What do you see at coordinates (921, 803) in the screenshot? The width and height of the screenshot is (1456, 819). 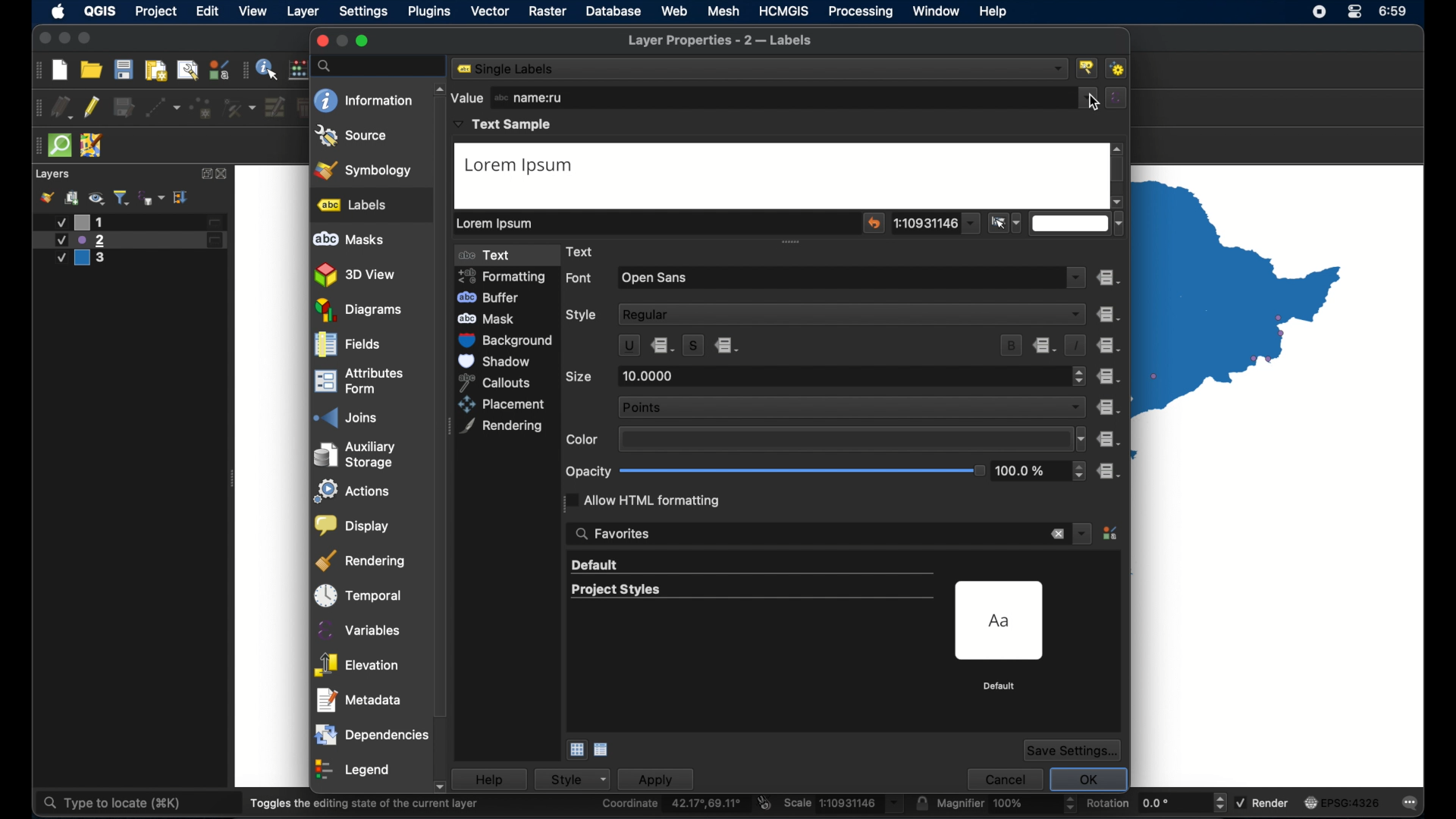 I see `lock scale` at bounding box center [921, 803].